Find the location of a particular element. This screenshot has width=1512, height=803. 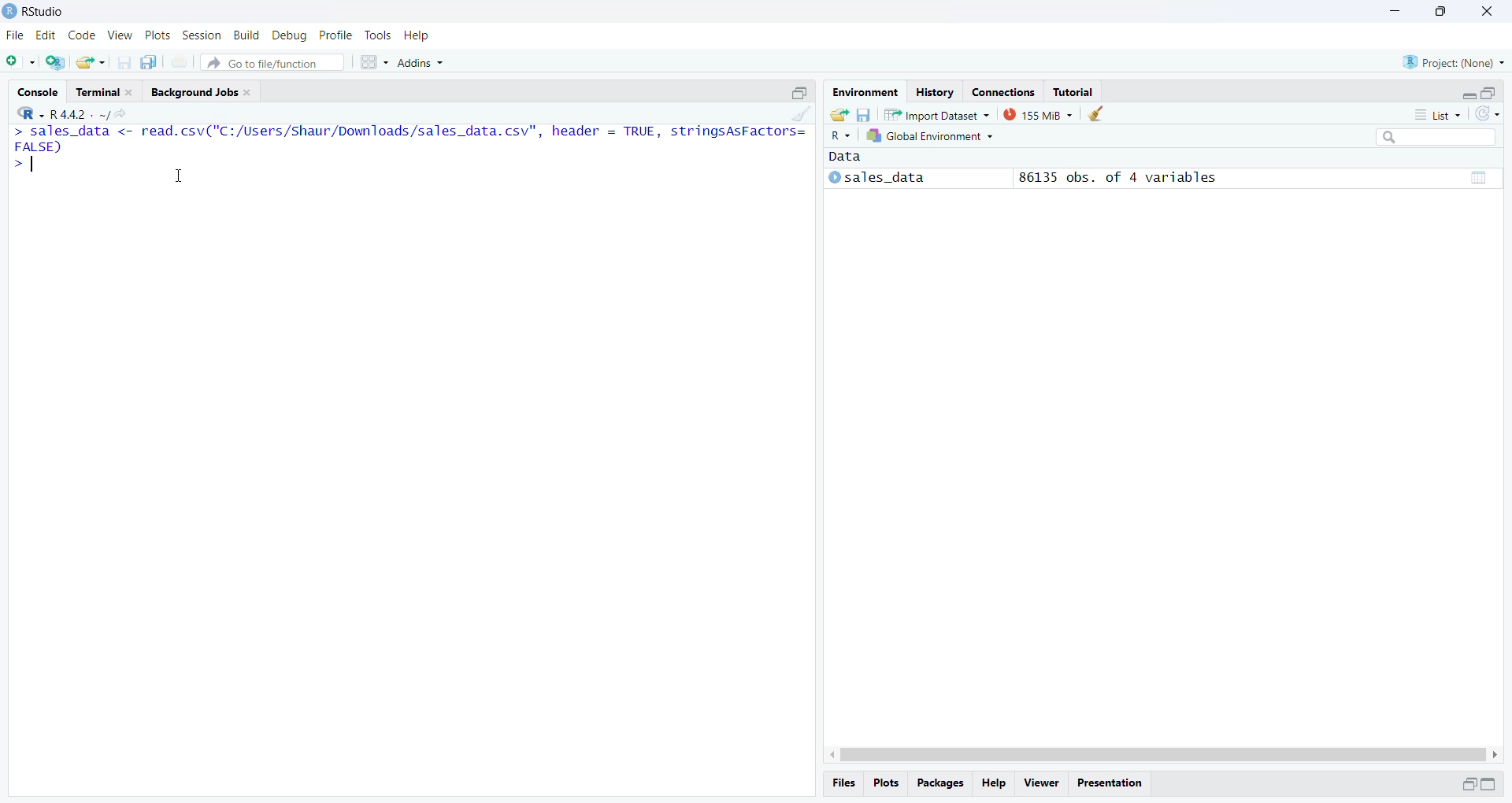

History is located at coordinates (932, 92).